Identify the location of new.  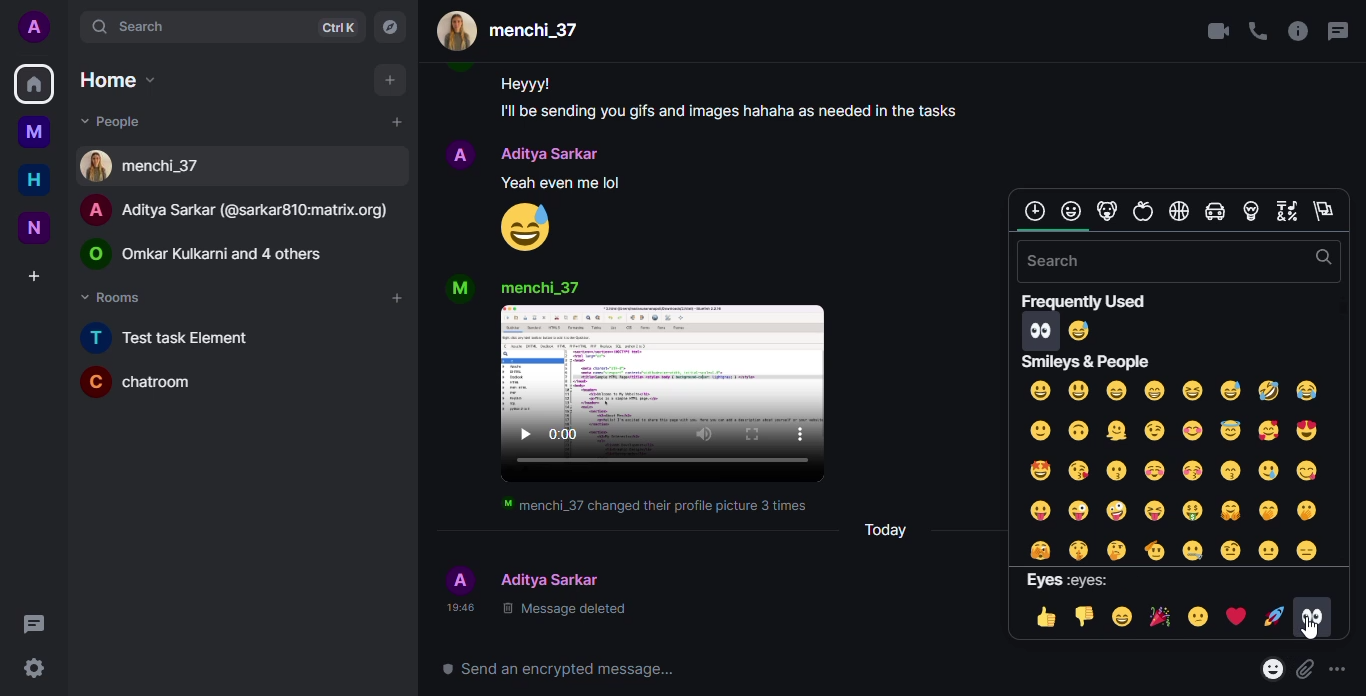
(34, 229).